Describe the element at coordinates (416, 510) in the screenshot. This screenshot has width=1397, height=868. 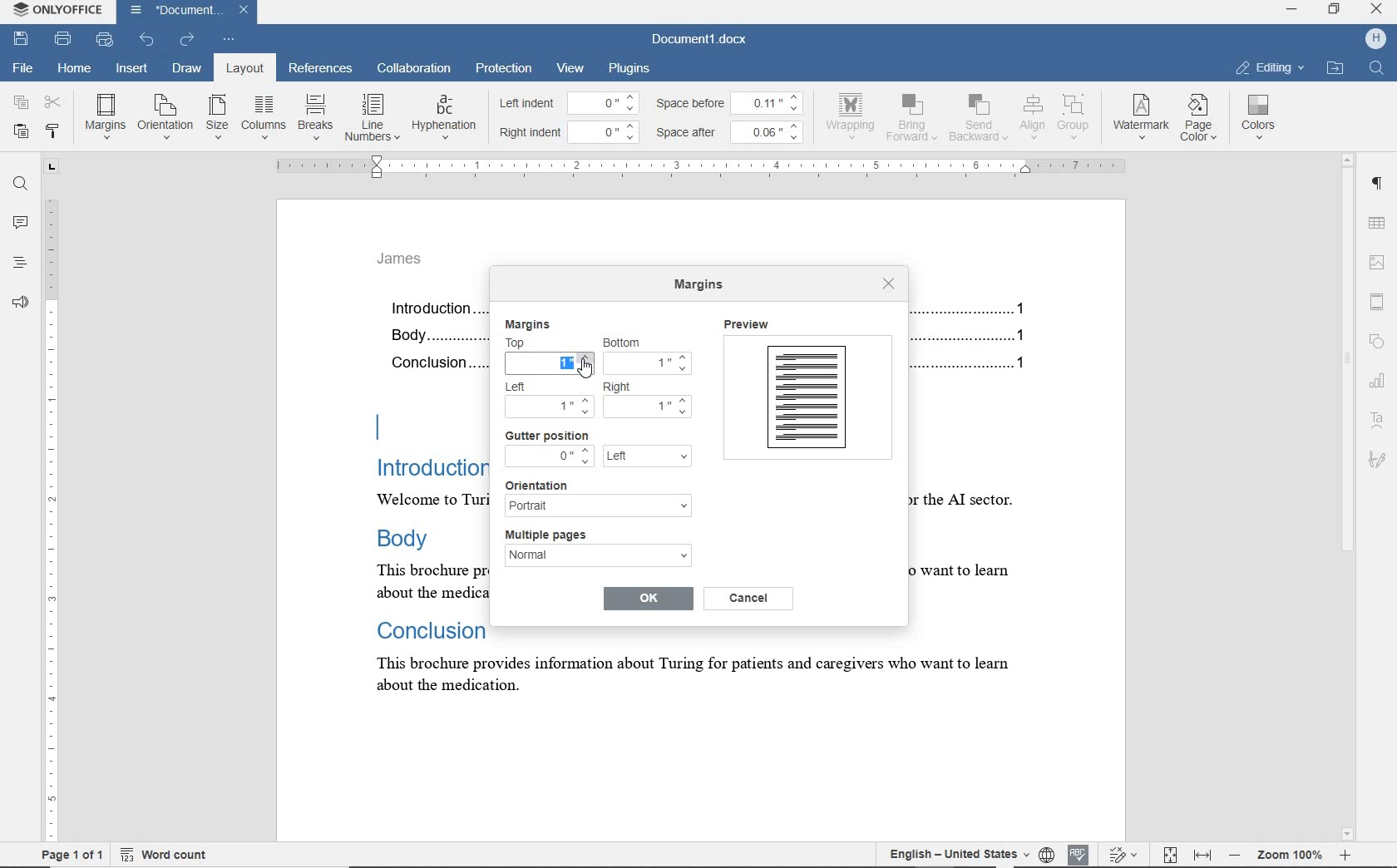
I see `text` at that location.